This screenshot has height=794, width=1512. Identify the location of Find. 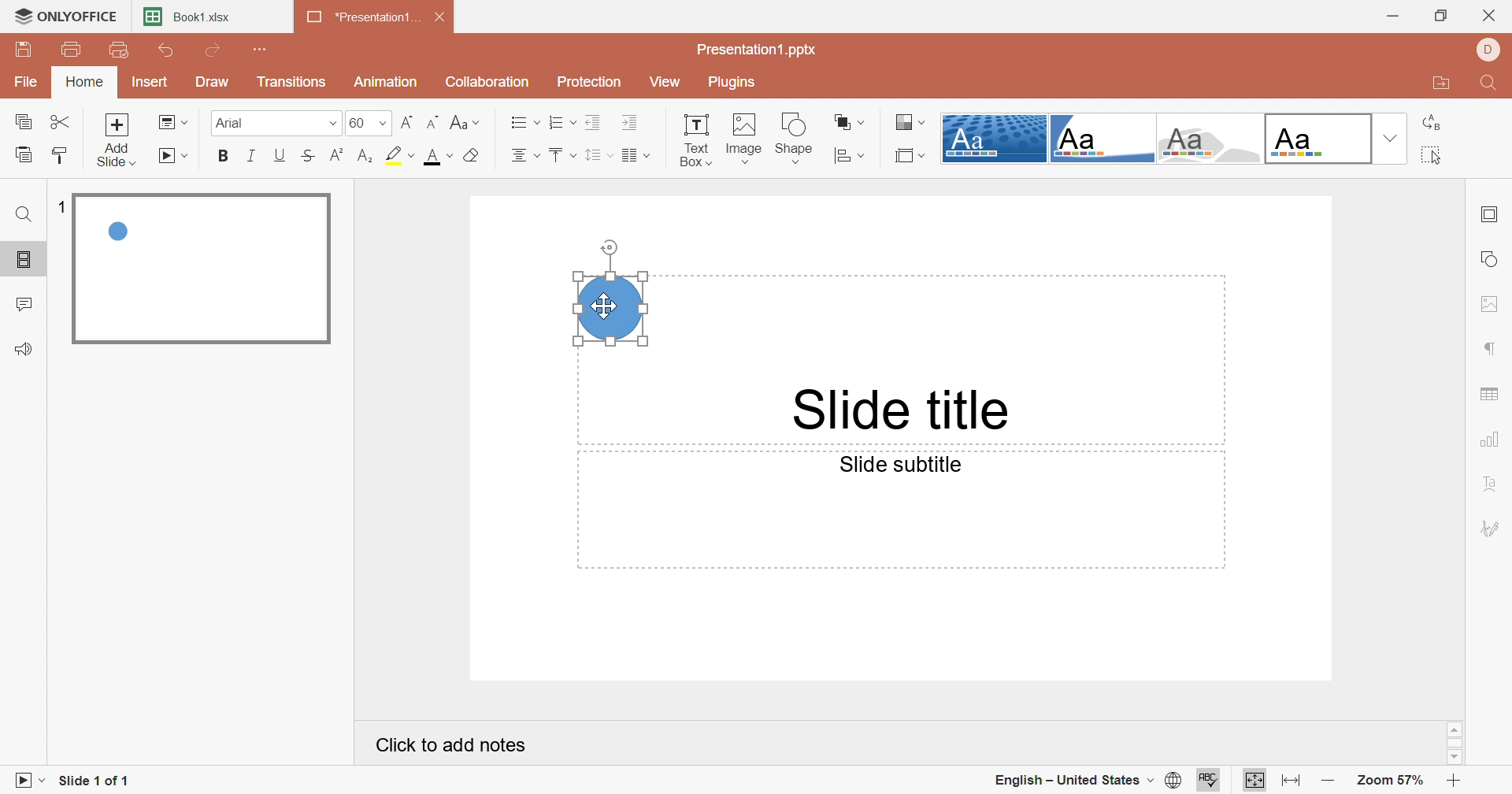
(24, 217).